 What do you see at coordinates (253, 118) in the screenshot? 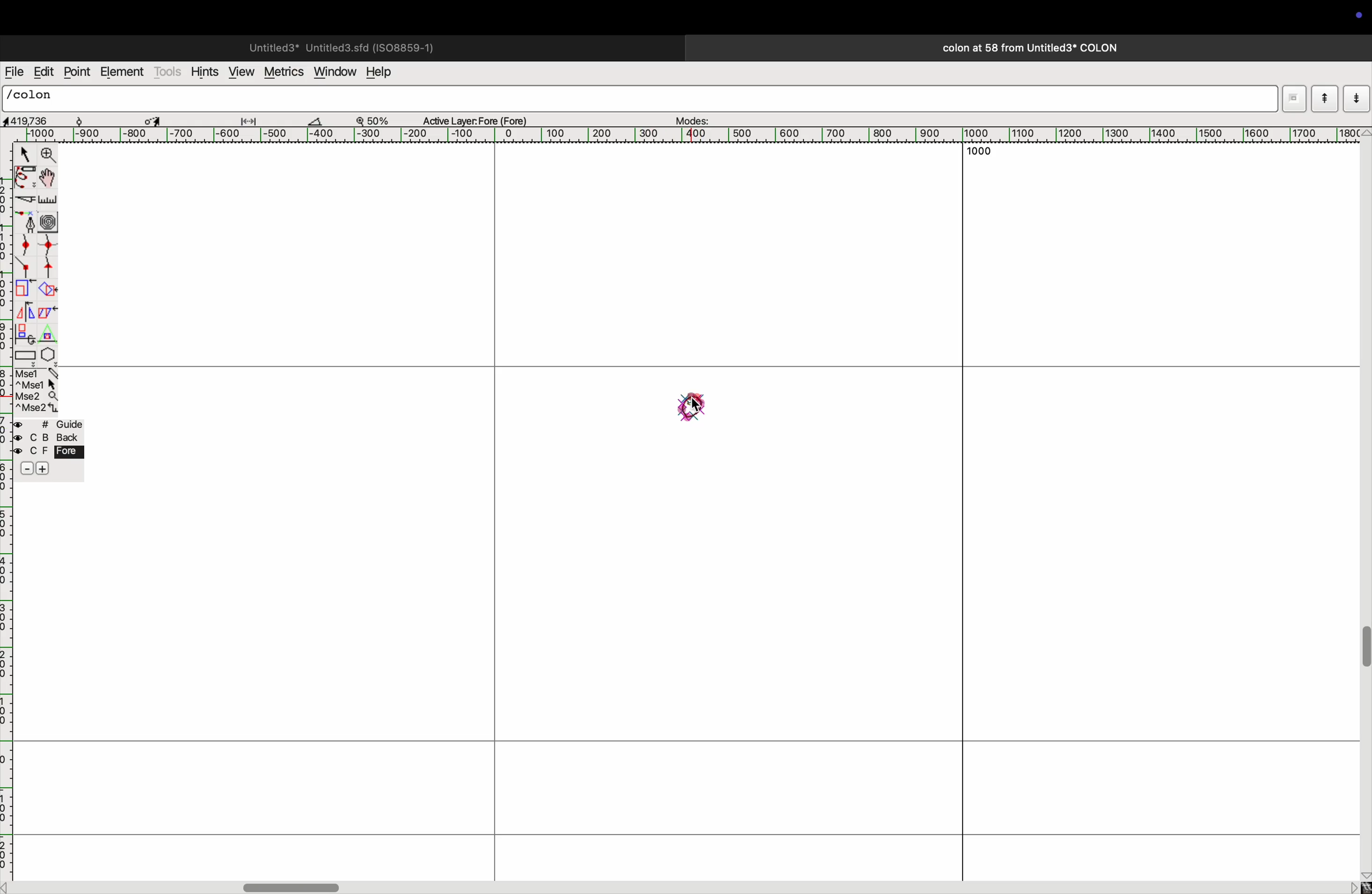
I see `adjust` at bounding box center [253, 118].